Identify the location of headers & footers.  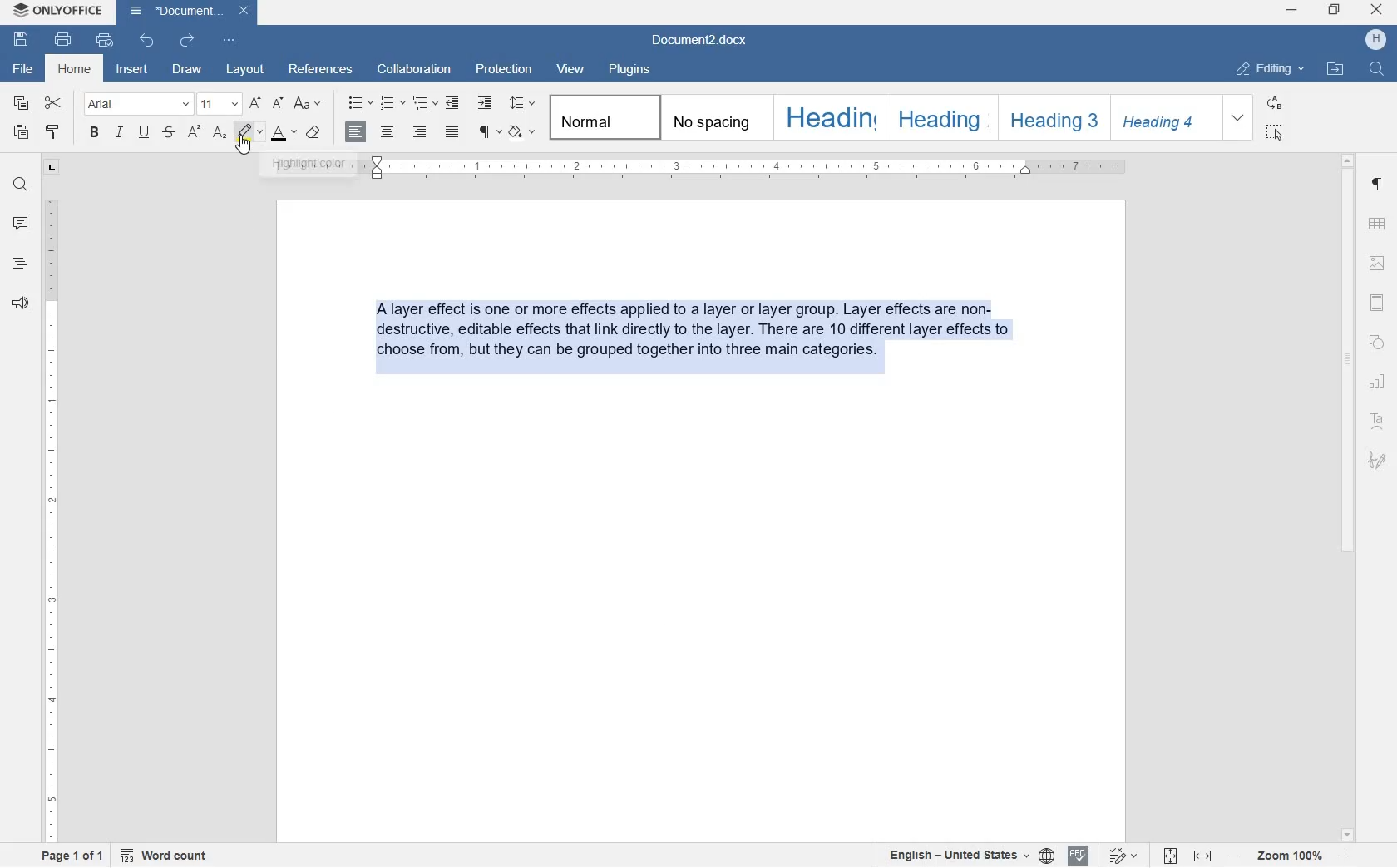
(1376, 303).